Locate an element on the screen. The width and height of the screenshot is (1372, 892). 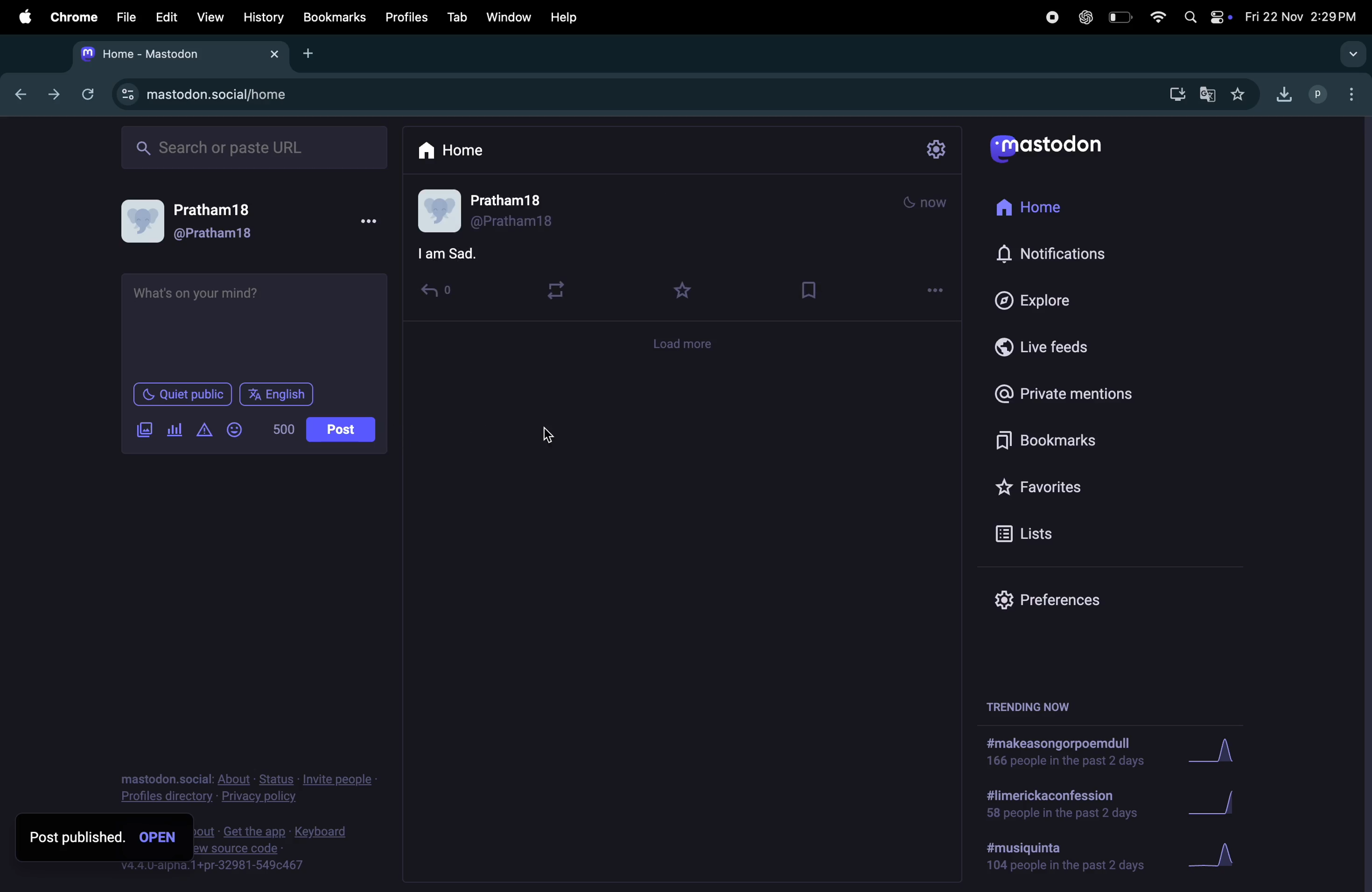
post published. open is located at coordinates (104, 839).